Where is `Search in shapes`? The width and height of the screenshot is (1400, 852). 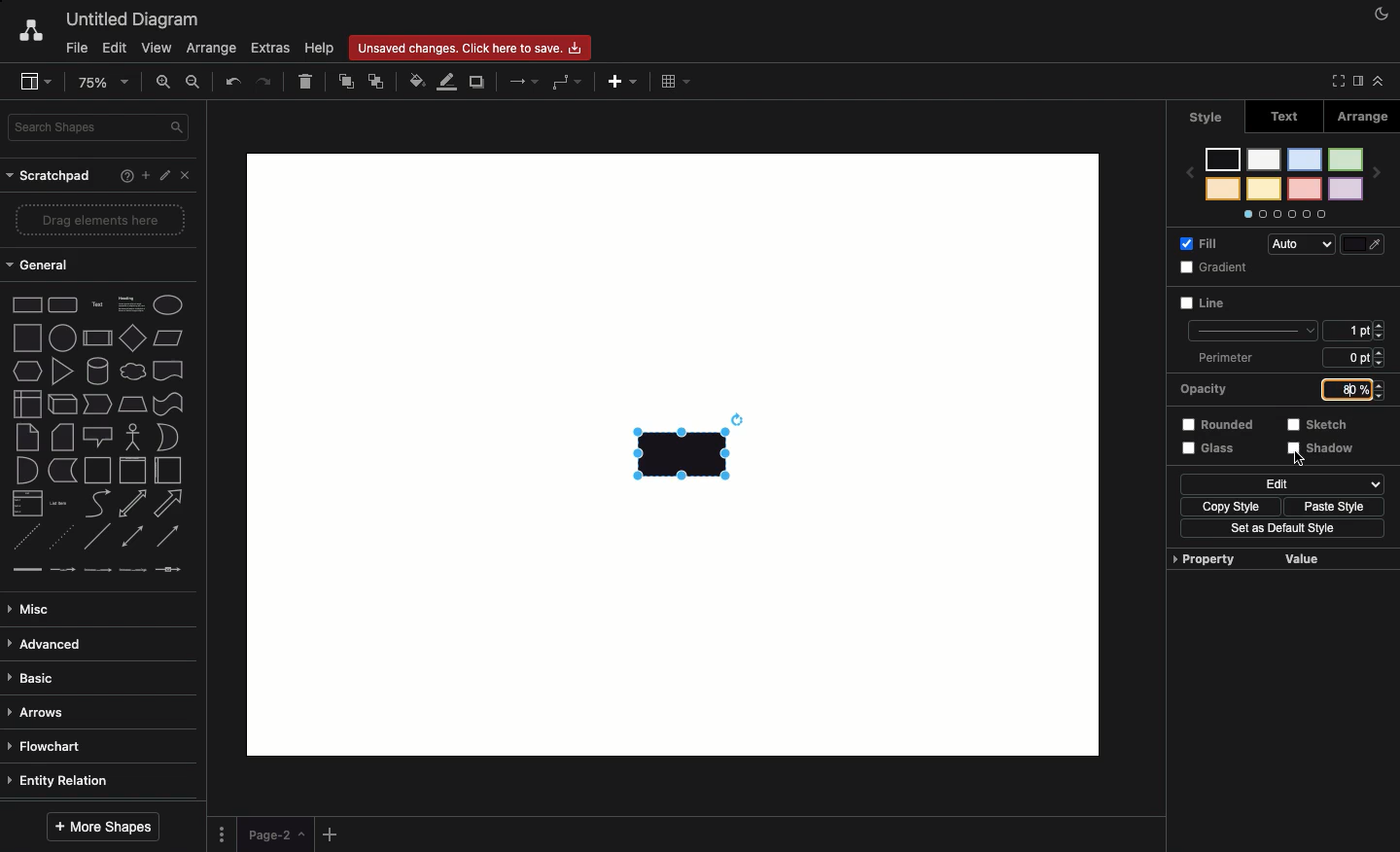
Search in shapes is located at coordinates (102, 126).